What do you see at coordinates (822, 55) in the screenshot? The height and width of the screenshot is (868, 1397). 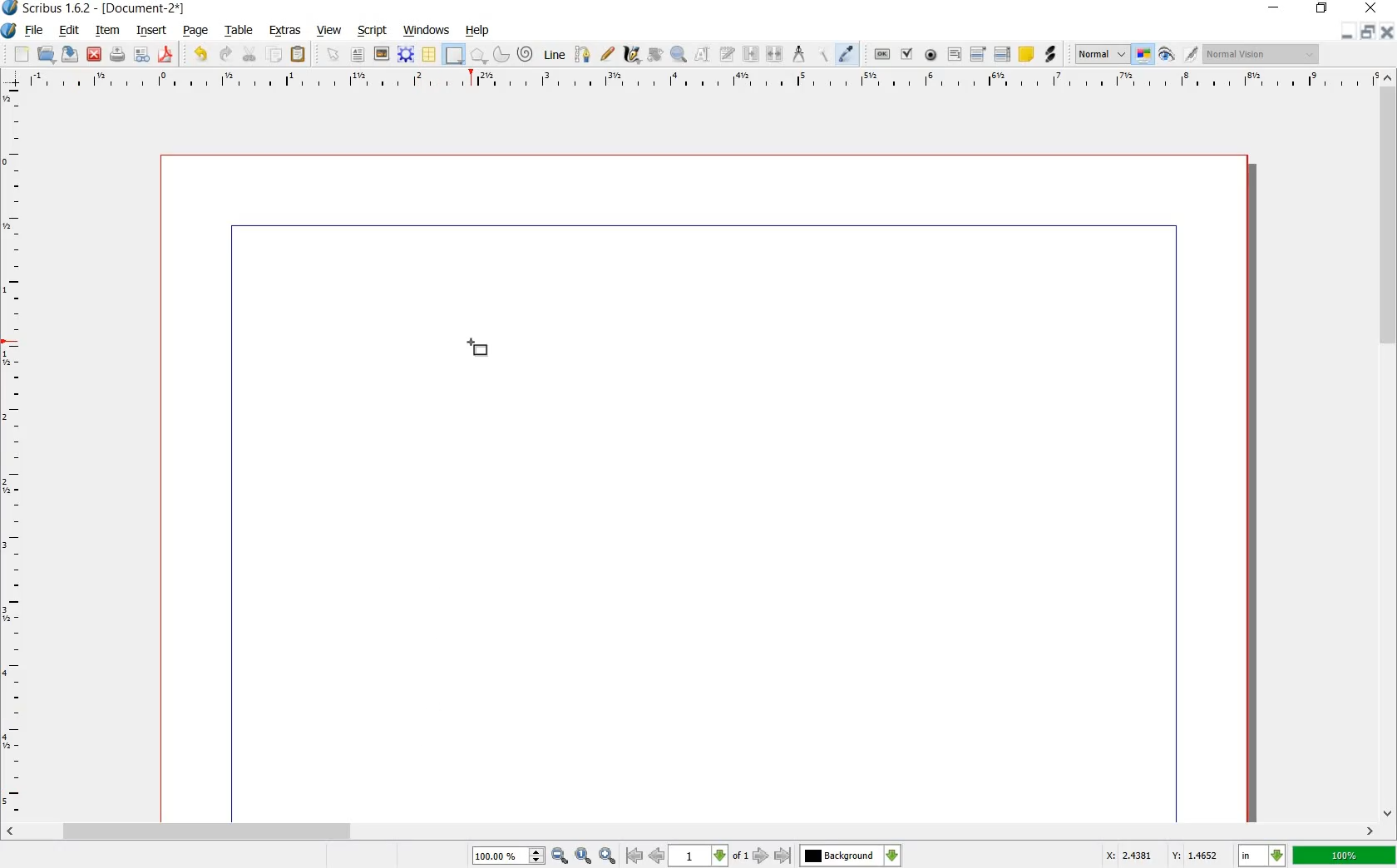 I see `COPY ITEM PROPERTIES` at bounding box center [822, 55].